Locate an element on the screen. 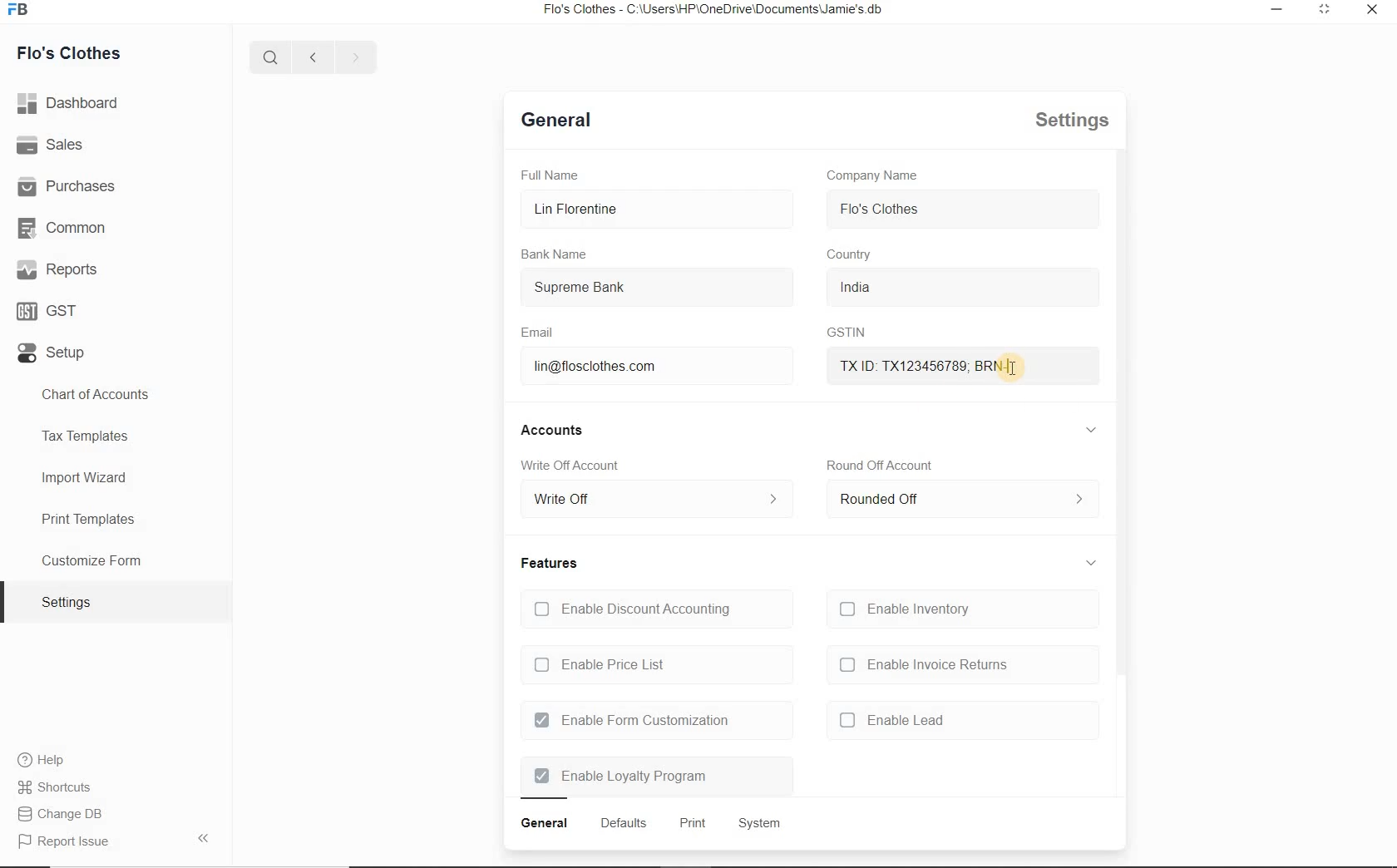  Lin Florentine is located at coordinates (646, 210).